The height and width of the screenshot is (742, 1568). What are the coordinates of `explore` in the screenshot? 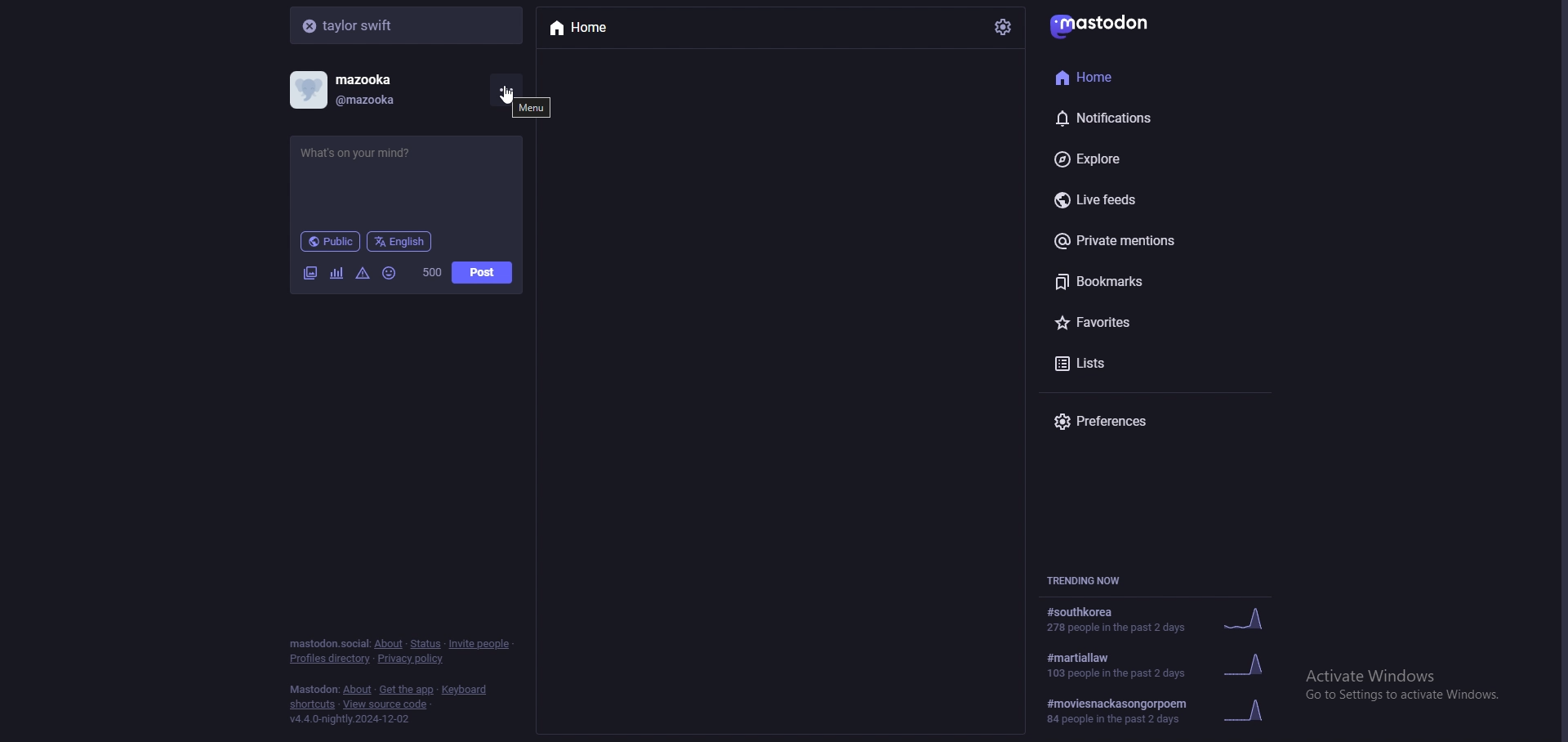 It's located at (1143, 159).